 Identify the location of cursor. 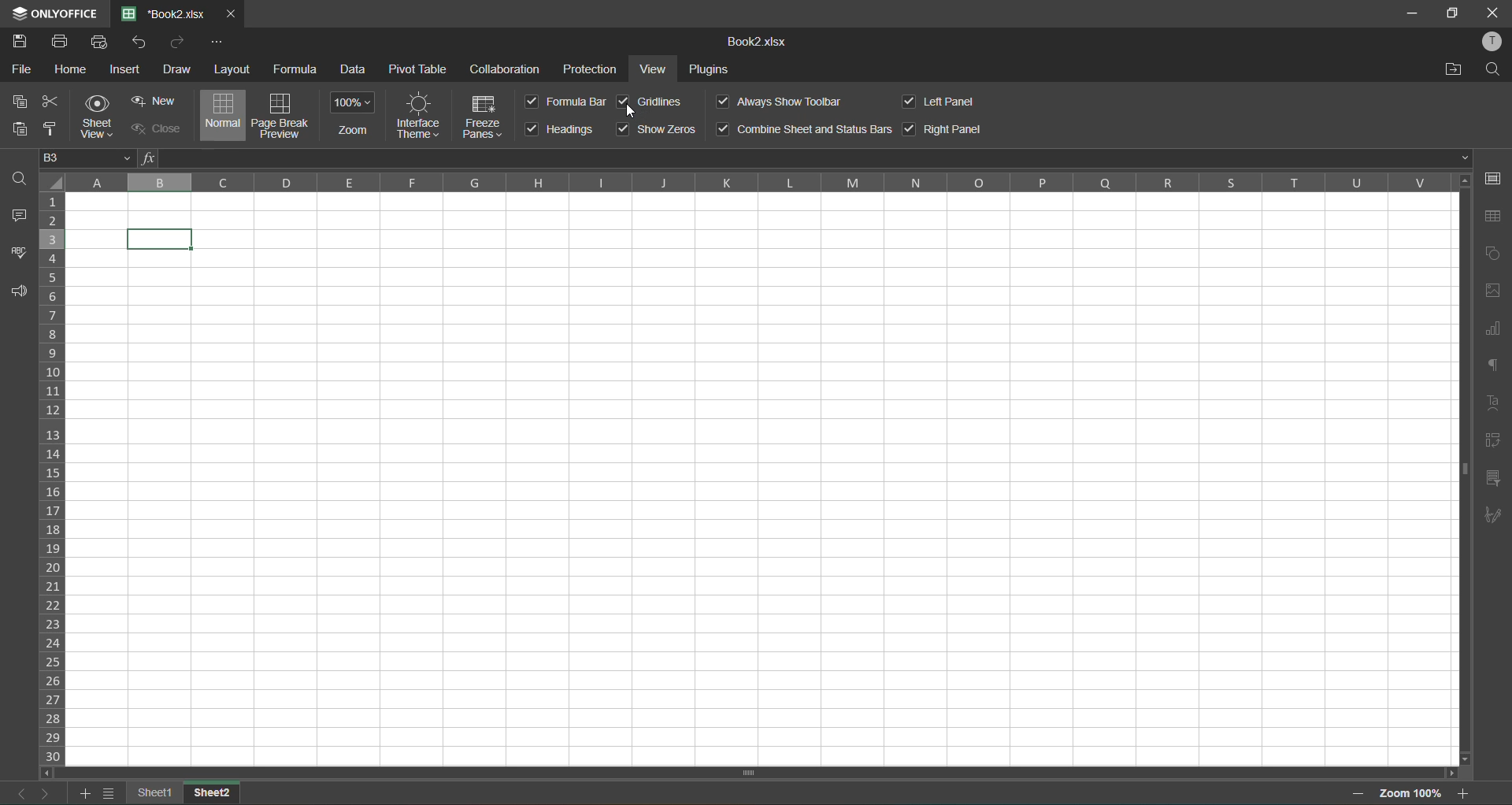
(636, 113).